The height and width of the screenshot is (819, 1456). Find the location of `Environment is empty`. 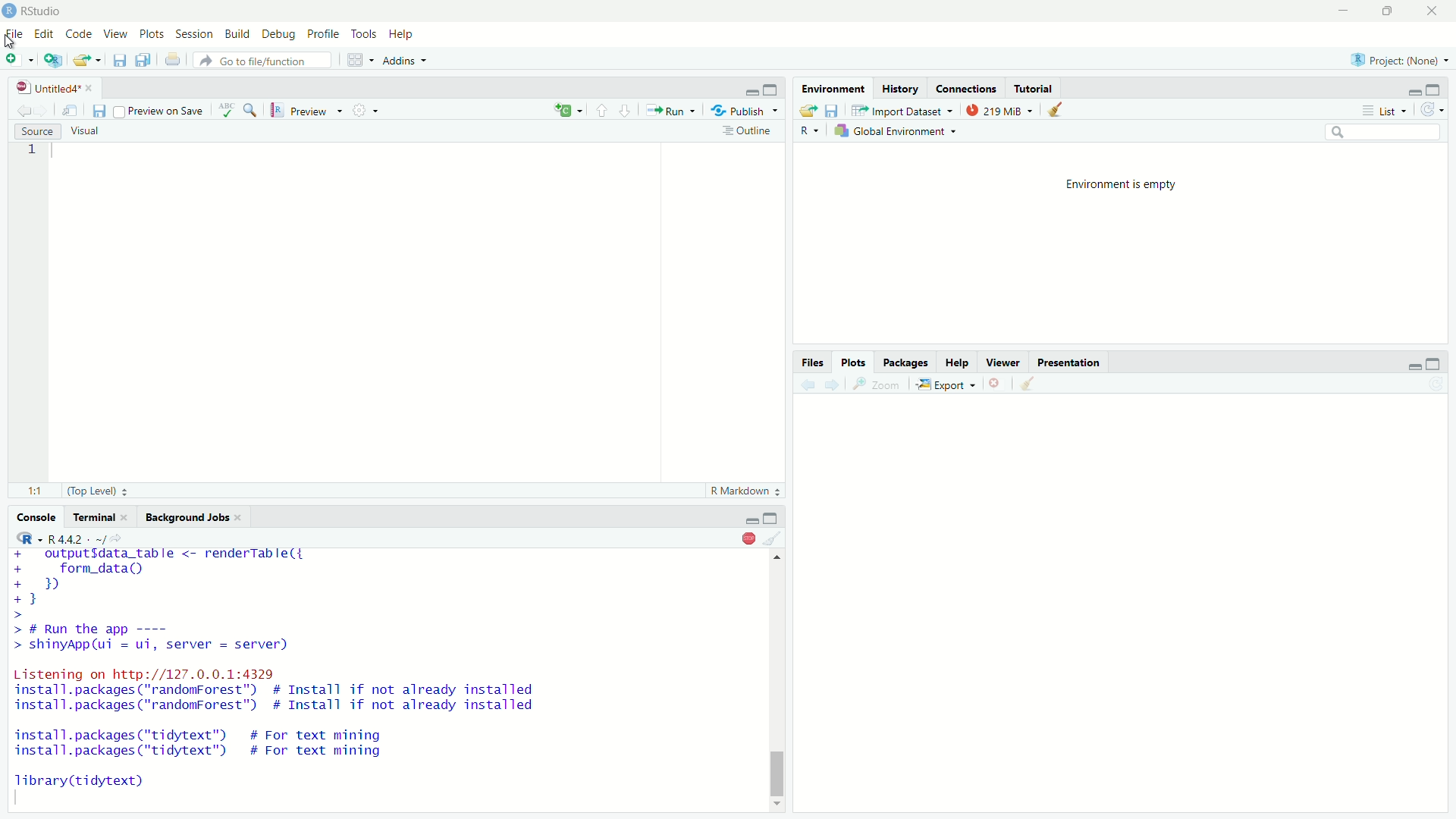

Environment is empty is located at coordinates (1119, 183).